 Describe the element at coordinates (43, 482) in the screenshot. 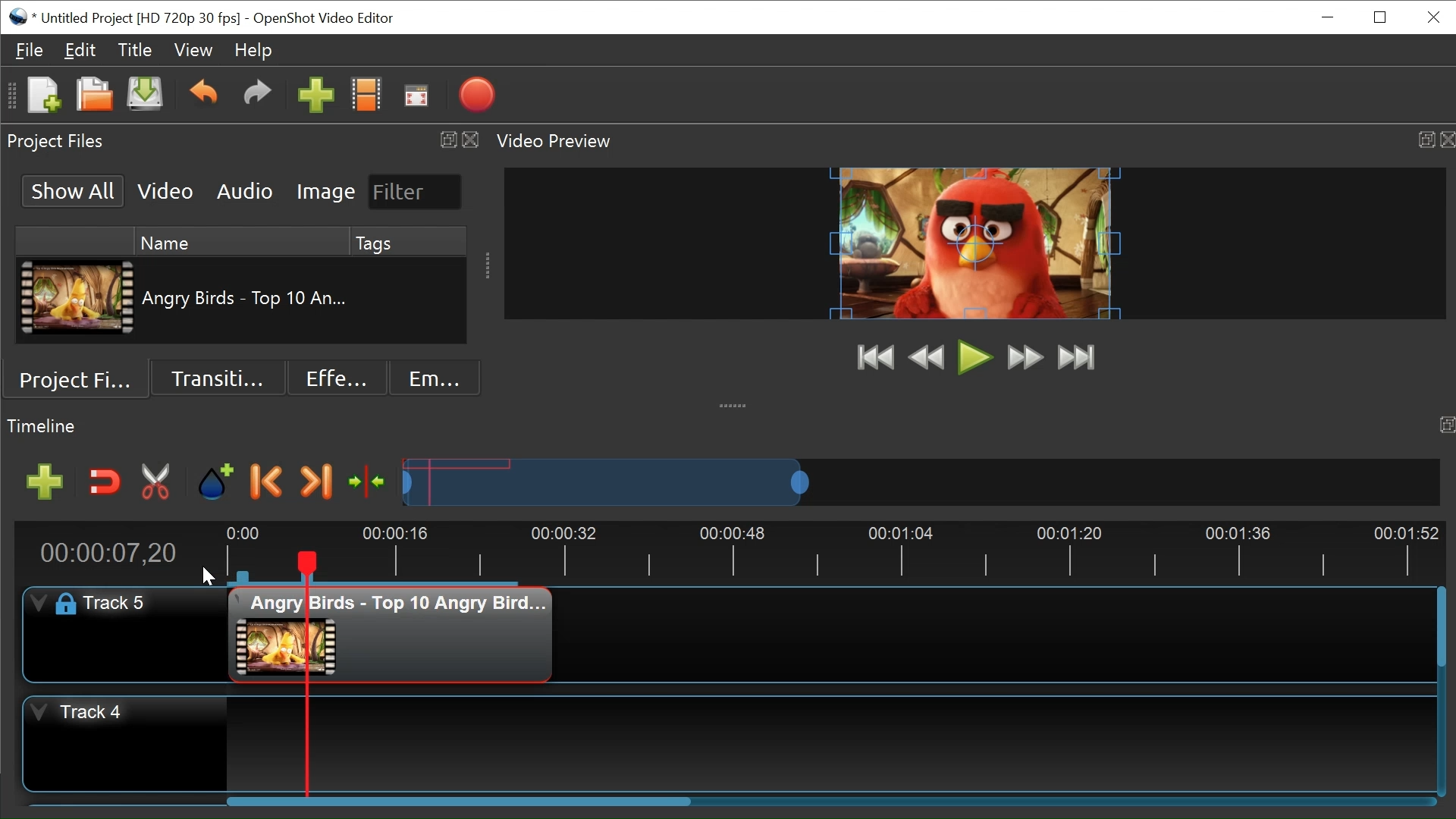

I see `Add Track` at that location.